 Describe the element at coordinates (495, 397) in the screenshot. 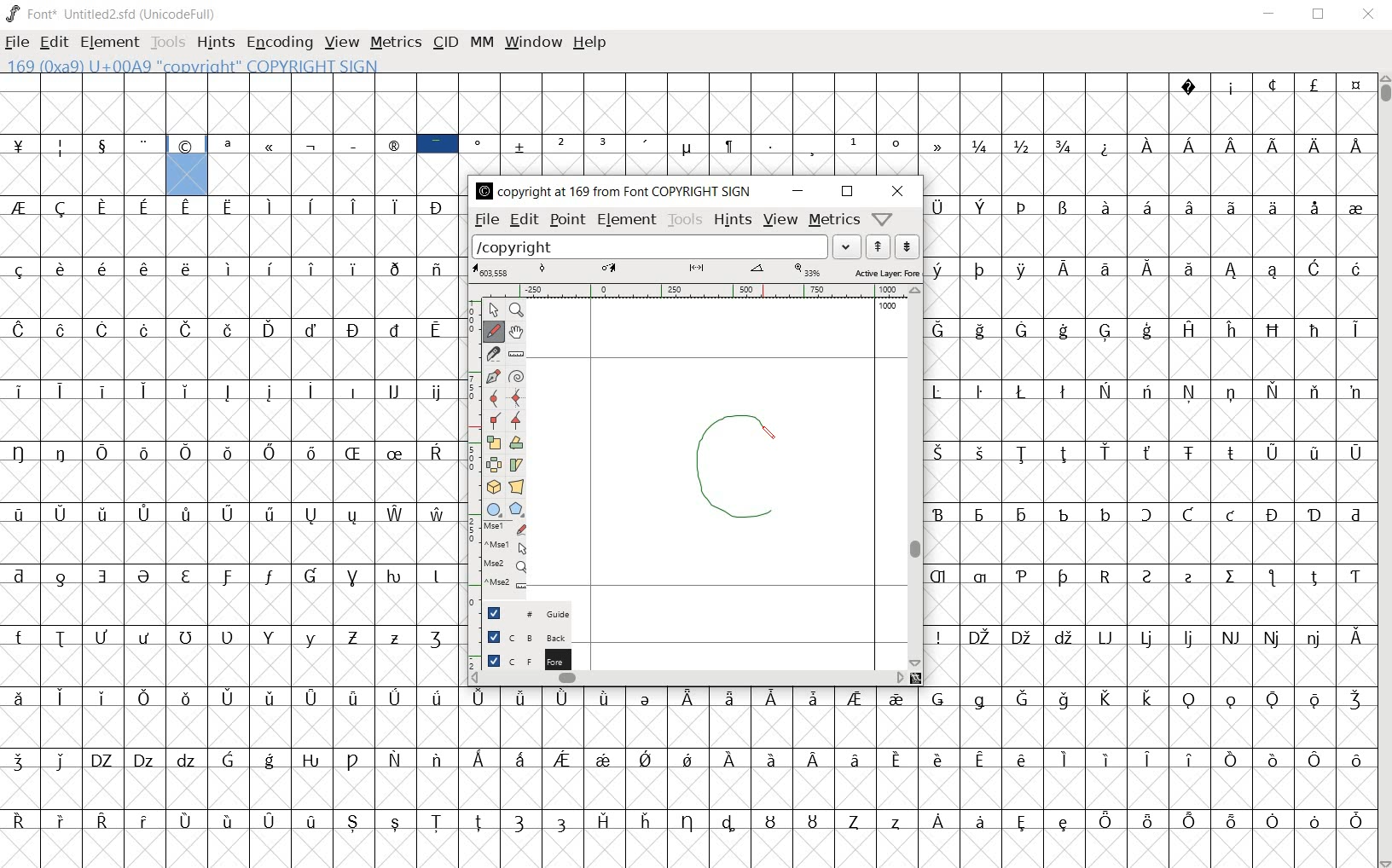

I see `add a curve point` at that location.